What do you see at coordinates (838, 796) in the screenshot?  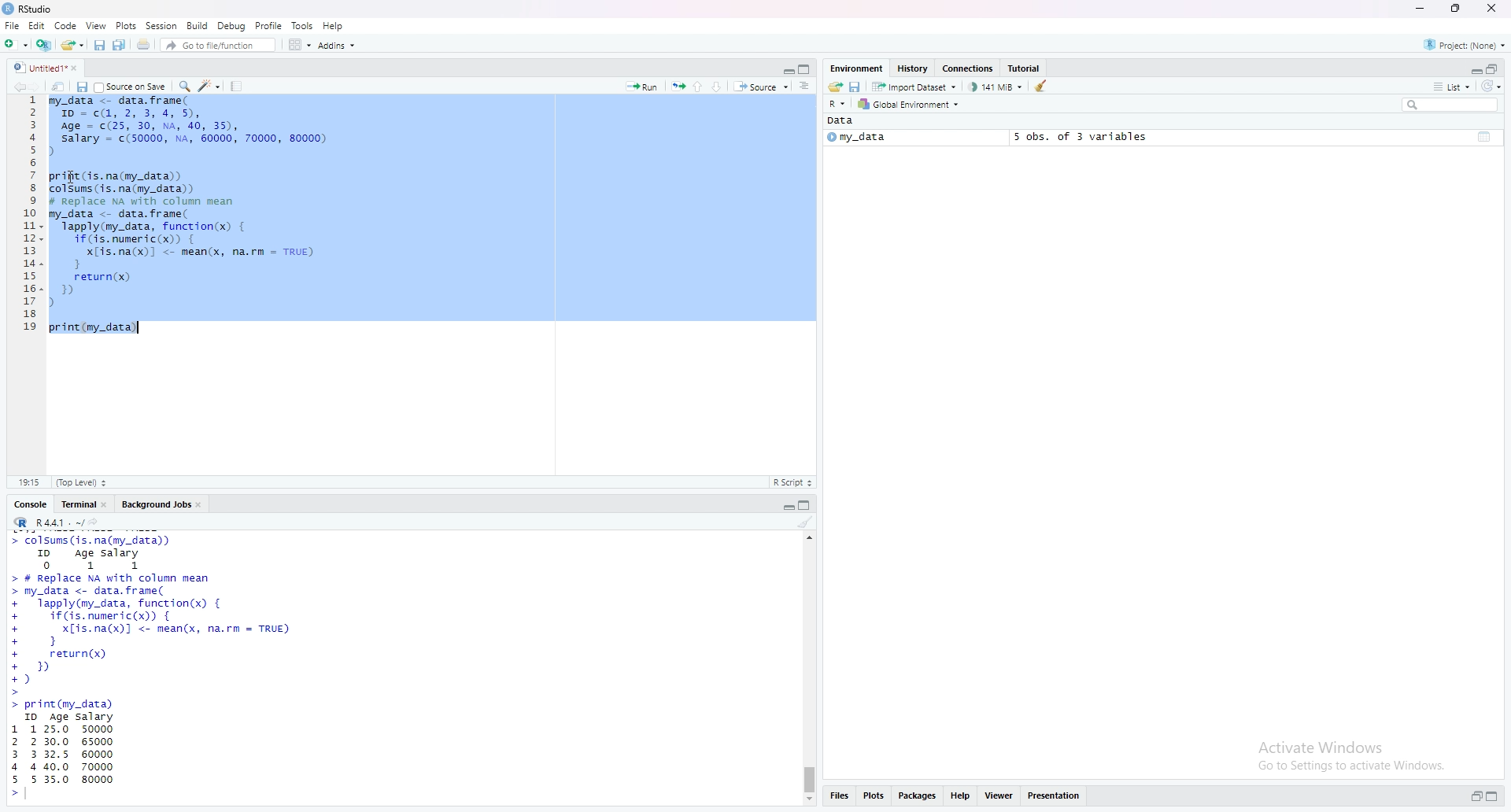 I see `files` at bounding box center [838, 796].